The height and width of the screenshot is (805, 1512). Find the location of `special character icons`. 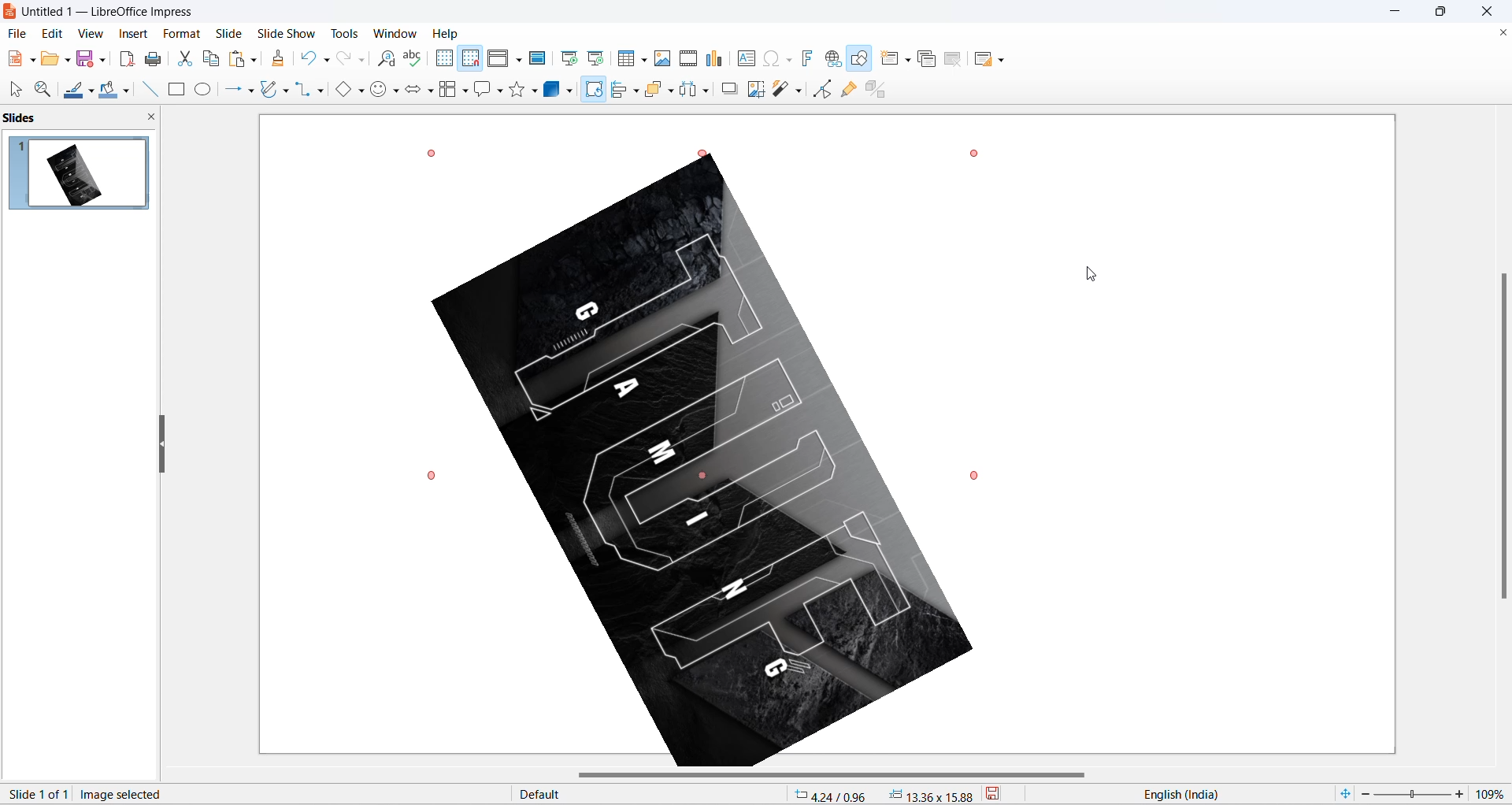

special character icons is located at coordinates (787, 58).